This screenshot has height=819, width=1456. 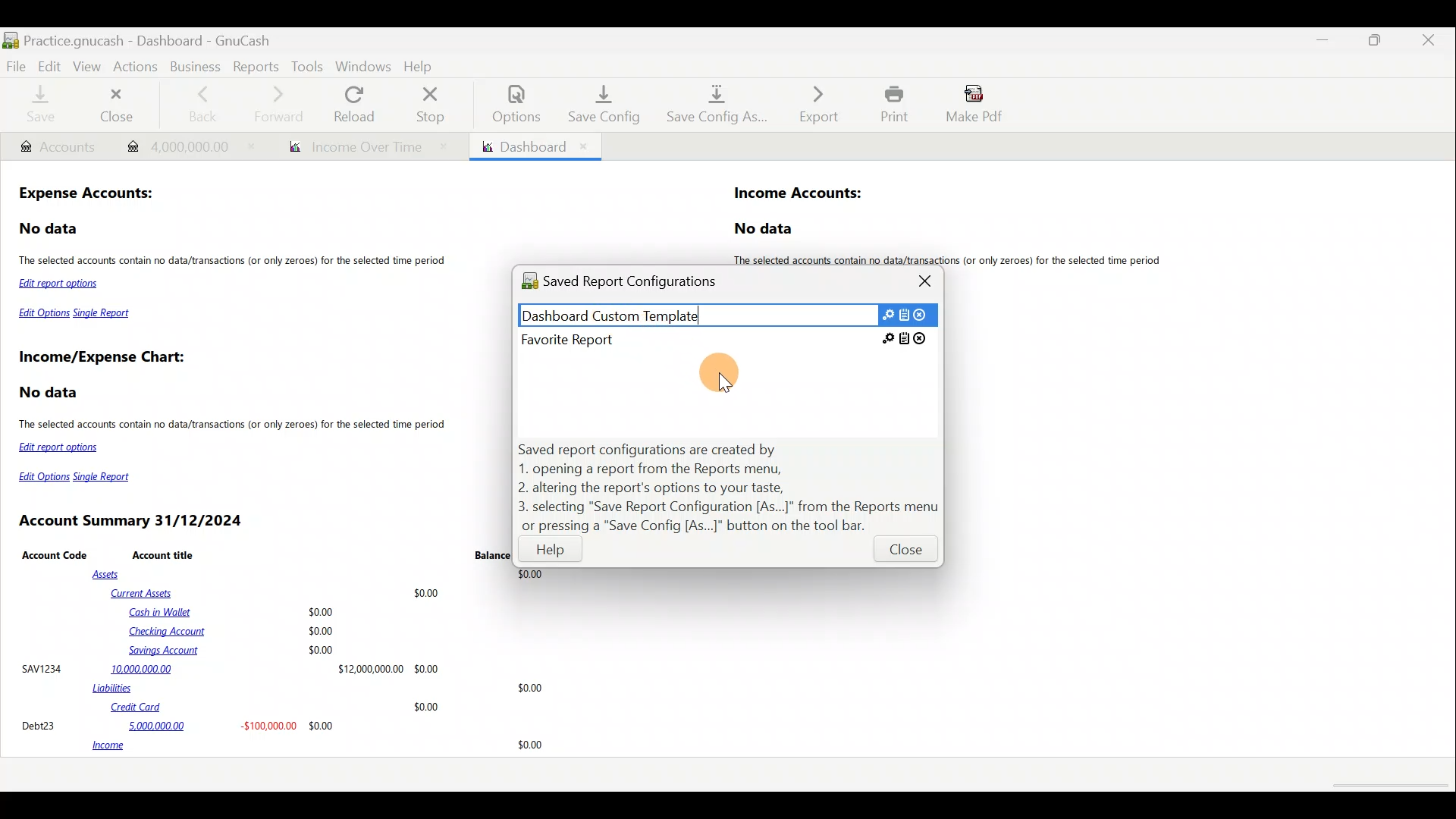 What do you see at coordinates (89, 67) in the screenshot?
I see `View` at bounding box center [89, 67].